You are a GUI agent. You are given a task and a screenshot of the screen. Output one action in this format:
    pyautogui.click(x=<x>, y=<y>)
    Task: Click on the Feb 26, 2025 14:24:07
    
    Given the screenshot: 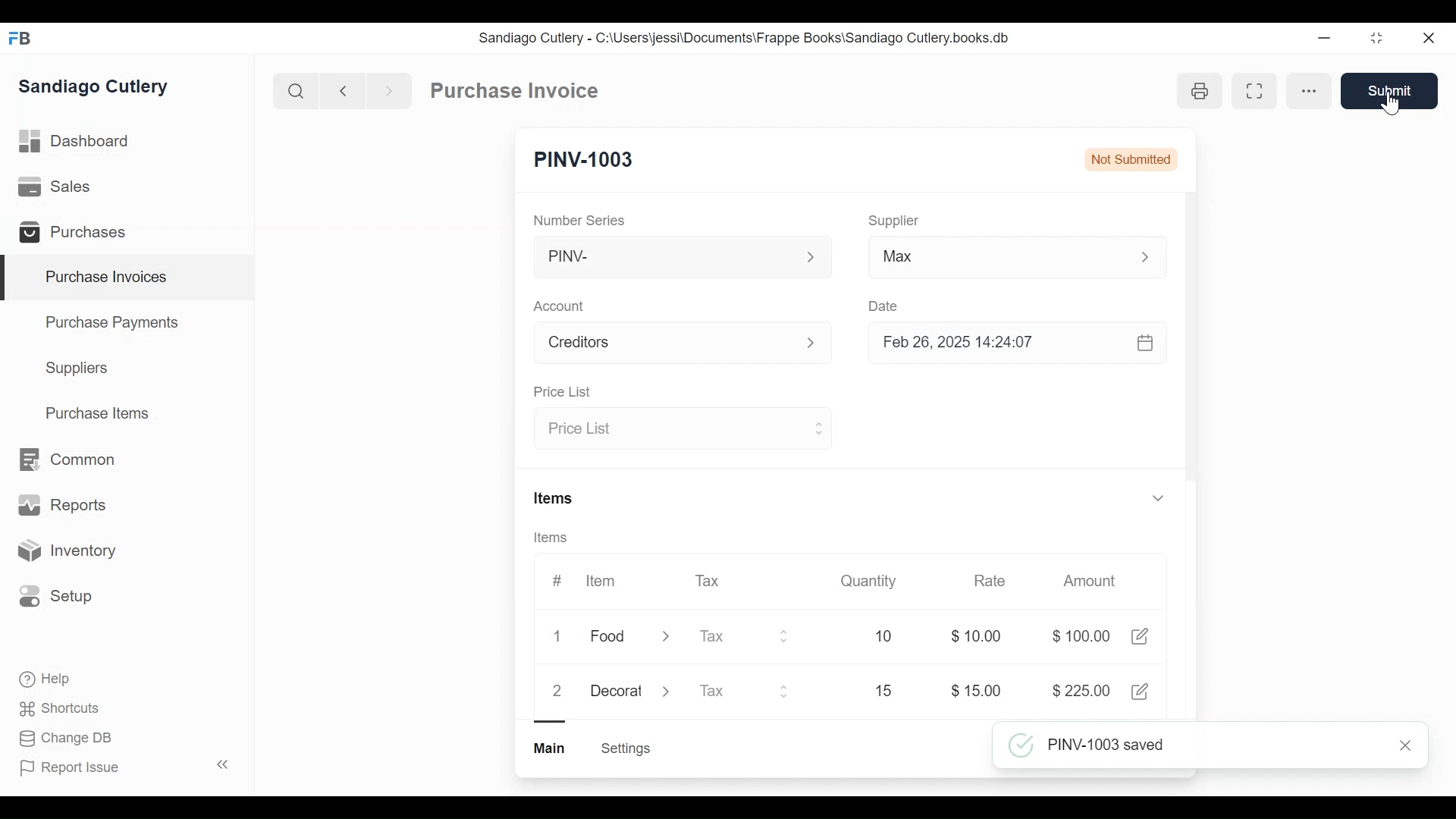 What is the action you would take?
    pyautogui.click(x=1009, y=343)
    